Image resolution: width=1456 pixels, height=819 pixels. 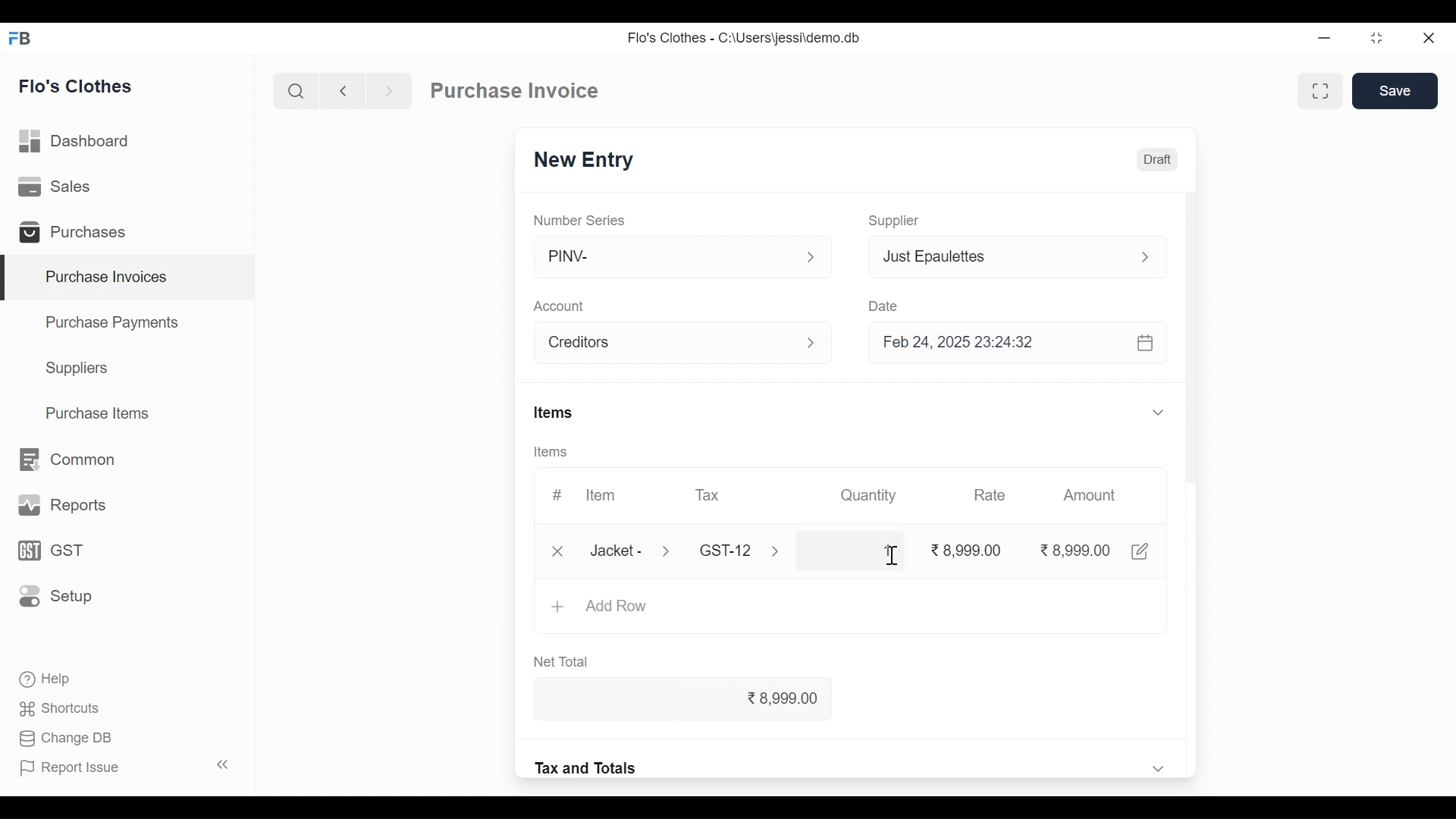 What do you see at coordinates (111, 322) in the screenshot?
I see `Purchase Payments` at bounding box center [111, 322].